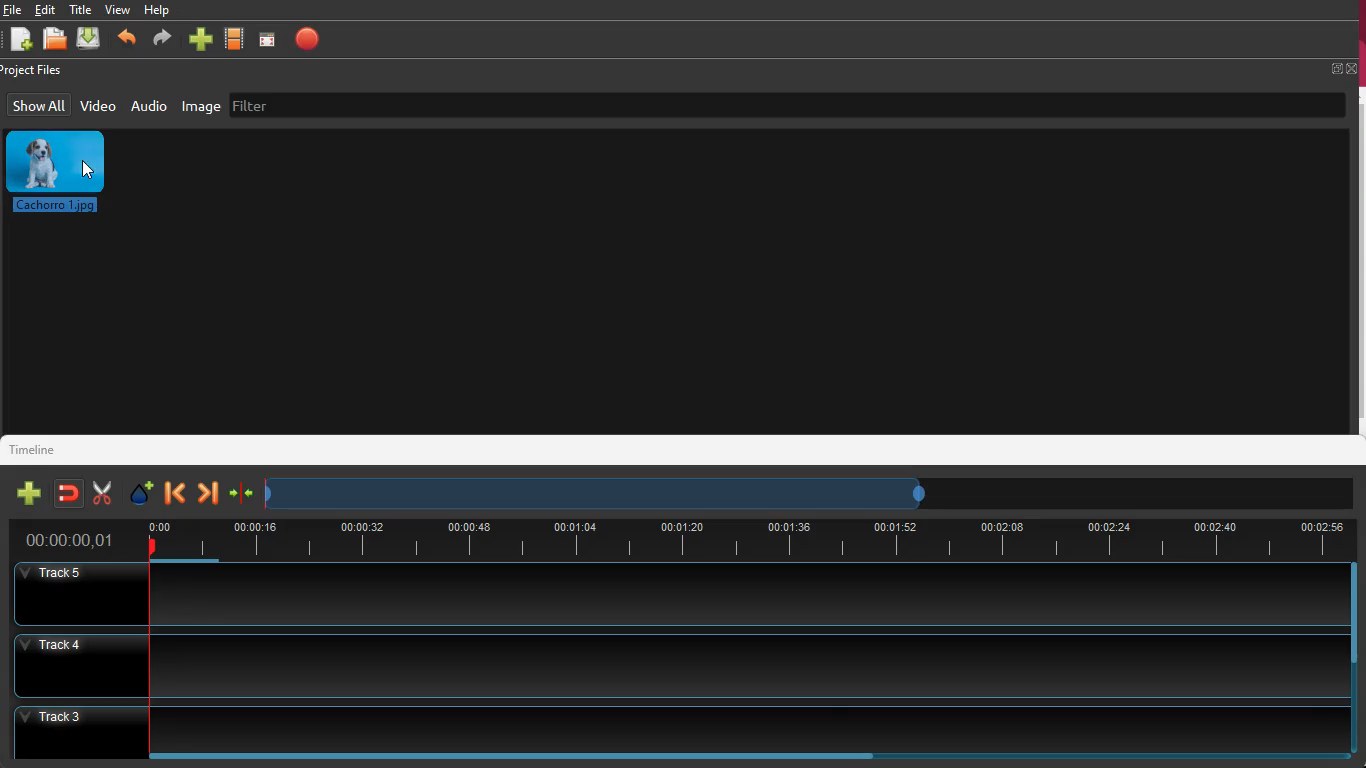  Describe the element at coordinates (669, 665) in the screenshot. I see `track` at that location.